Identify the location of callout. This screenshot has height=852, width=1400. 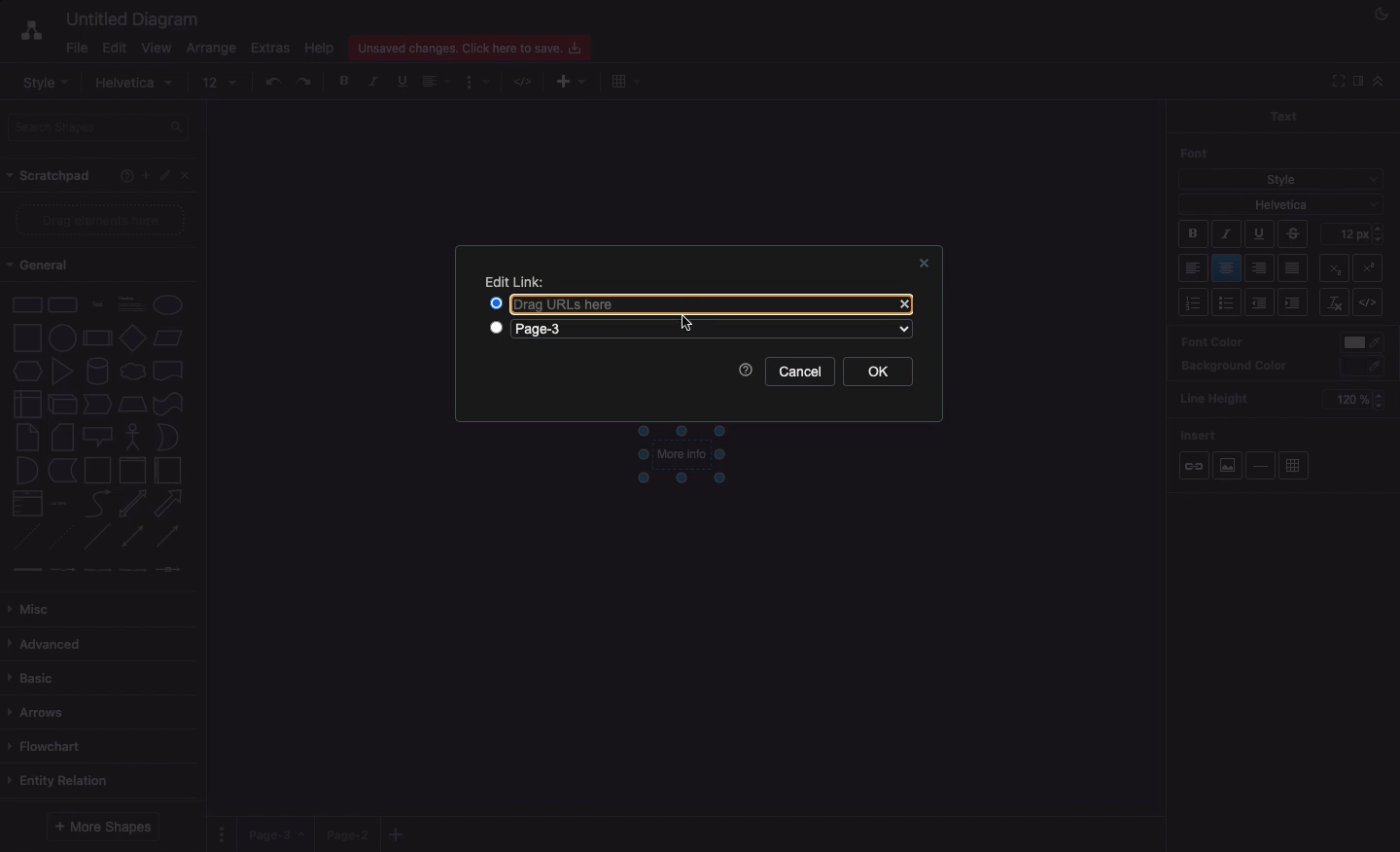
(98, 438).